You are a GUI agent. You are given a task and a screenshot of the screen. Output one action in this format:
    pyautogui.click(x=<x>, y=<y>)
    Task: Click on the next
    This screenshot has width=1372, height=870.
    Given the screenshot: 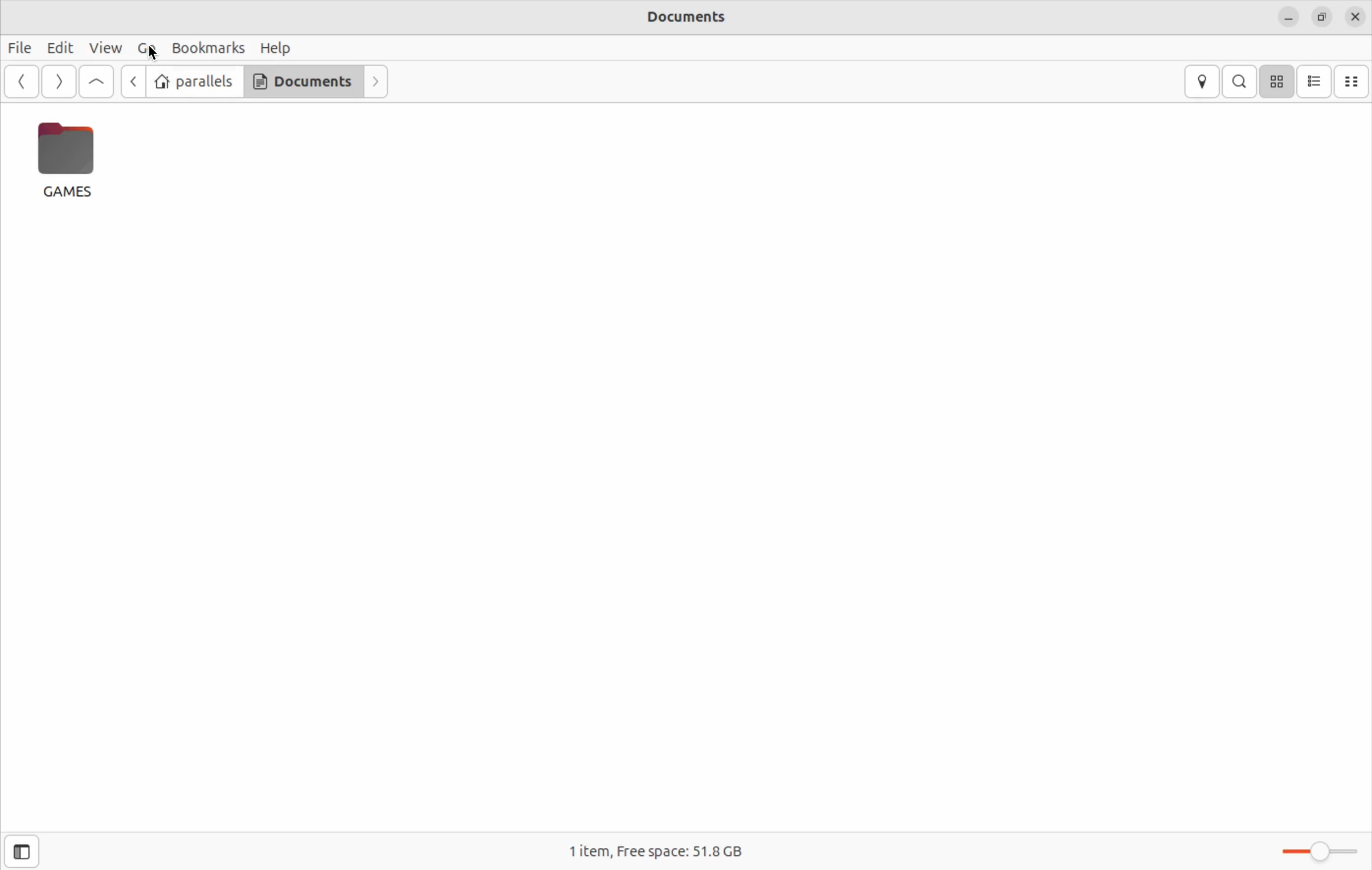 What is the action you would take?
    pyautogui.click(x=380, y=83)
    